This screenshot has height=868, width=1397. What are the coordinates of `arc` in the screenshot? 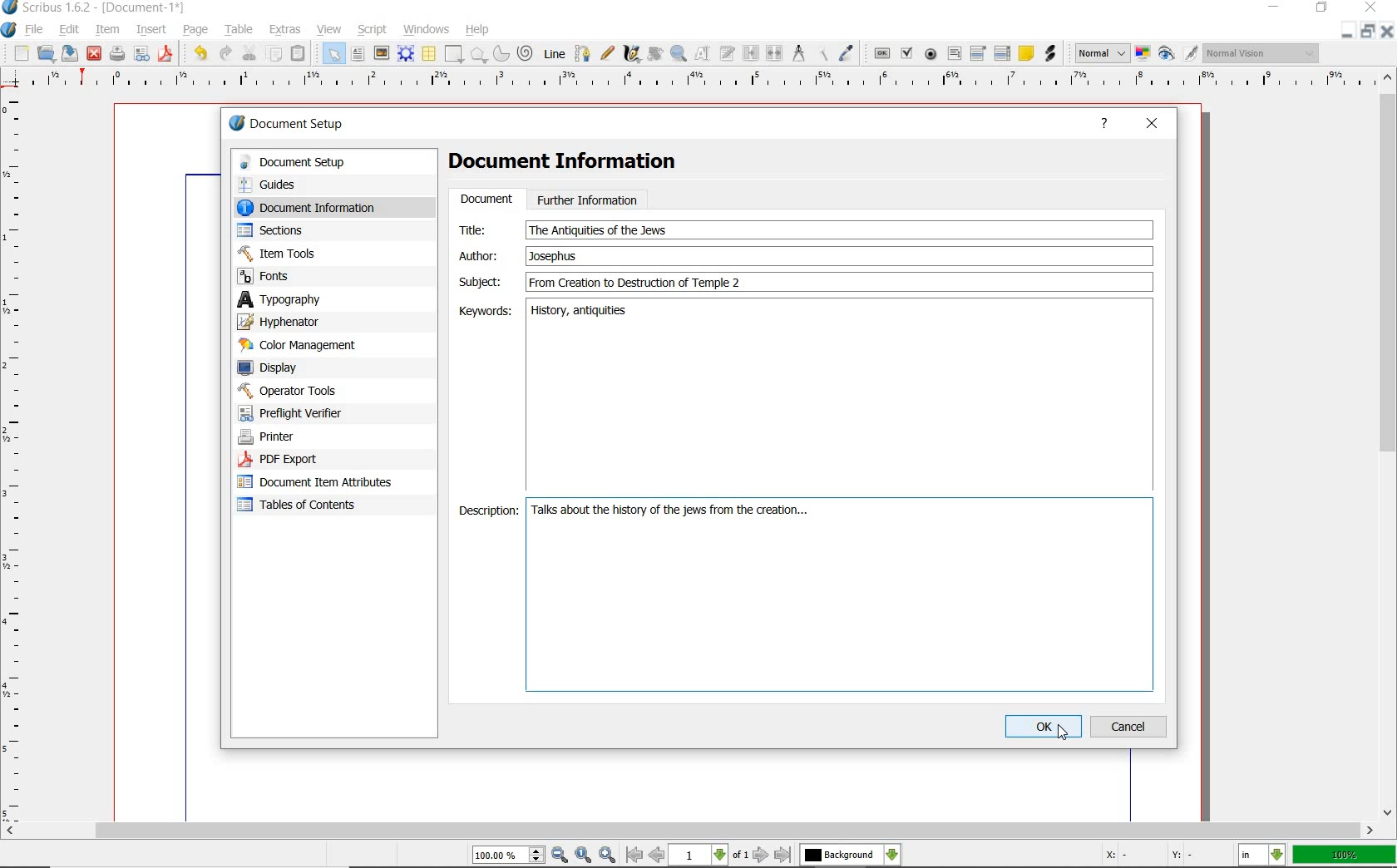 It's located at (501, 53).